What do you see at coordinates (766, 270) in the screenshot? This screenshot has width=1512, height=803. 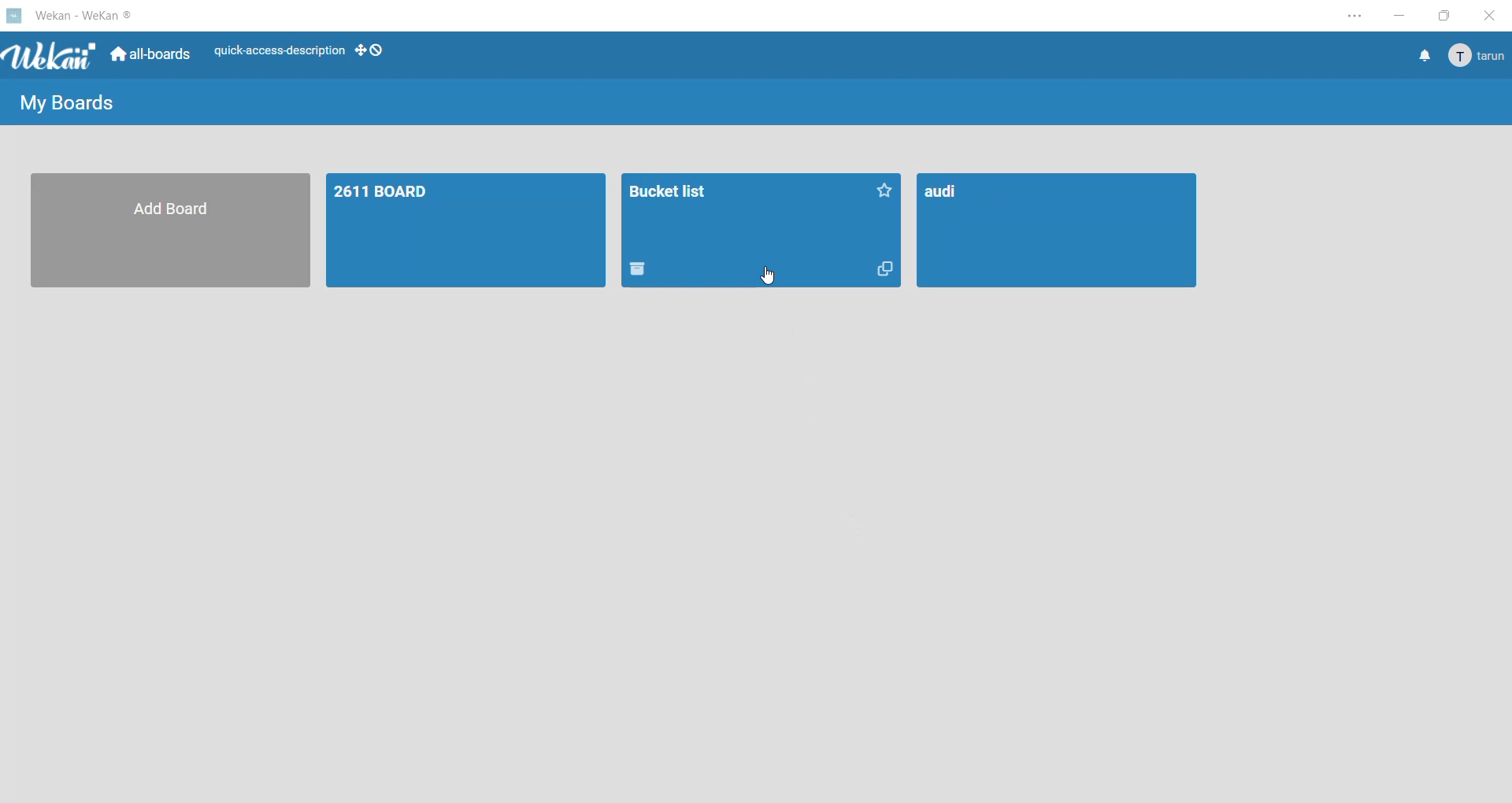 I see `cursor` at bounding box center [766, 270].